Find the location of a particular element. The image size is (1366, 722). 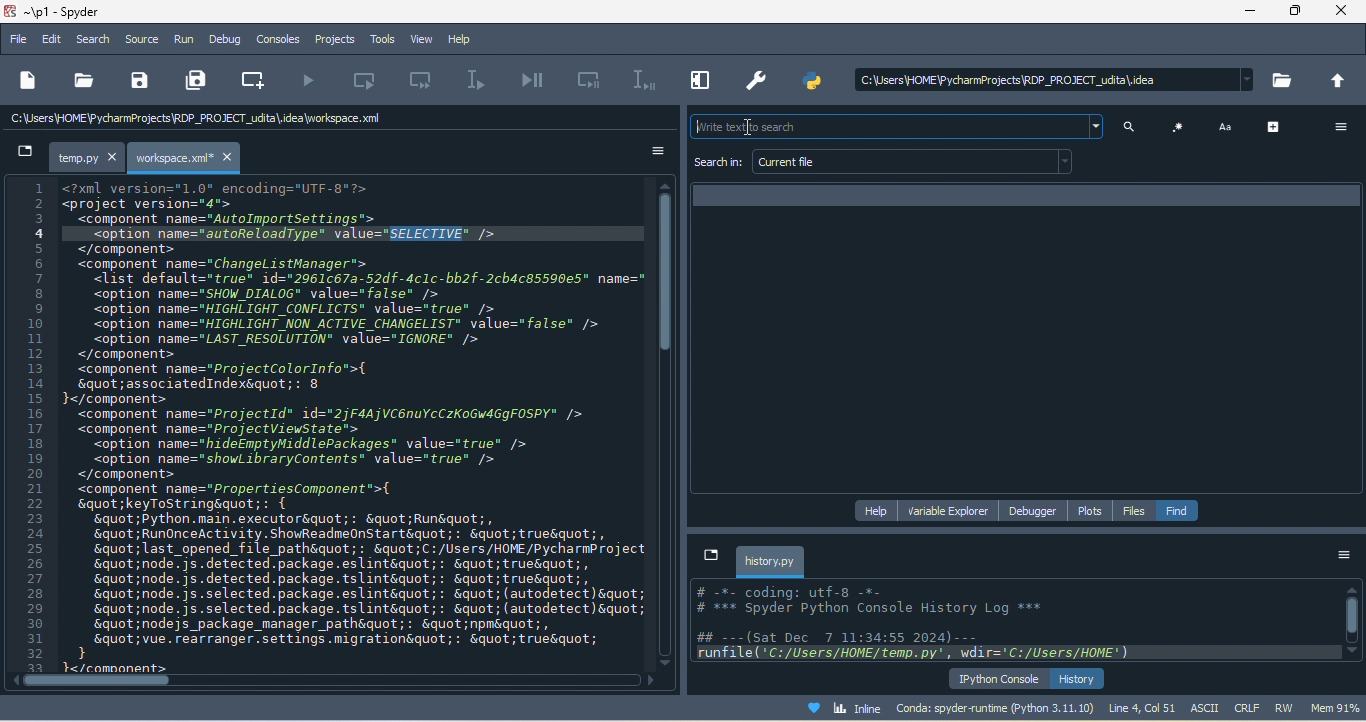

maximize is located at coordinates (1296, 14).